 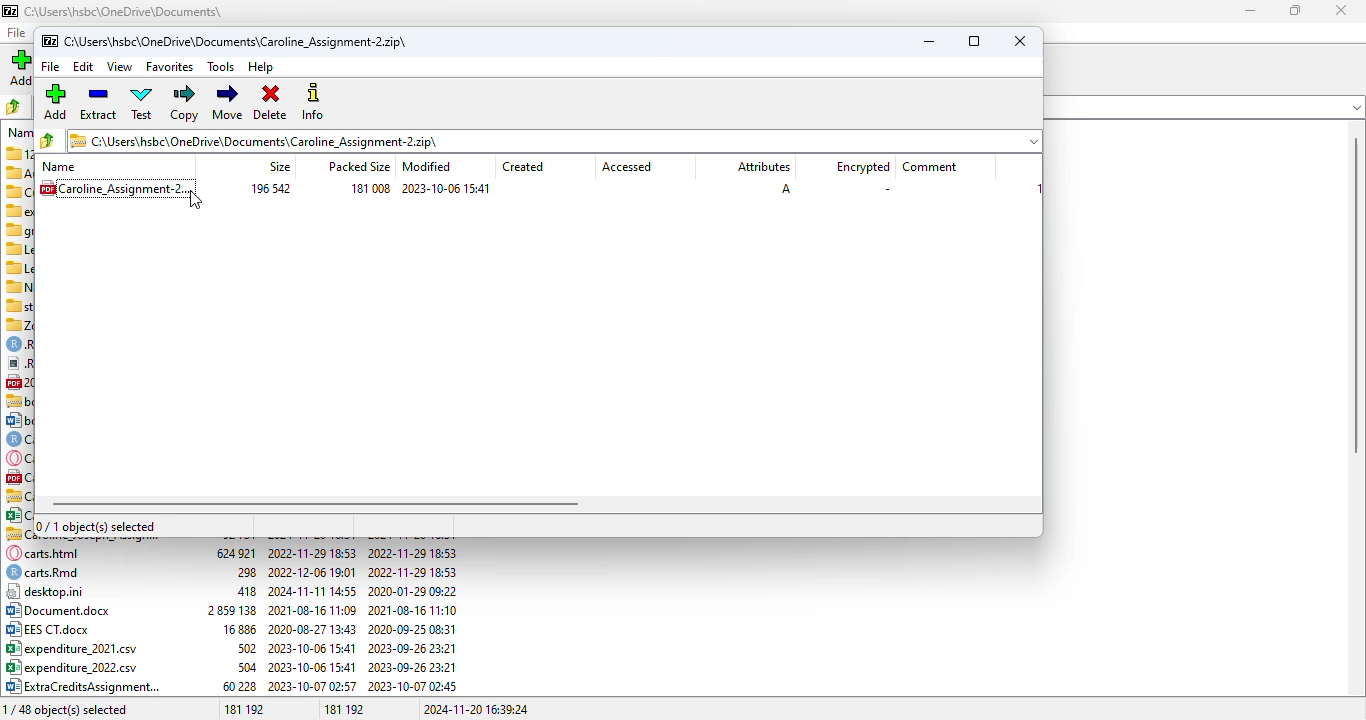 I want to click on modified, so click(x=428, y=166).